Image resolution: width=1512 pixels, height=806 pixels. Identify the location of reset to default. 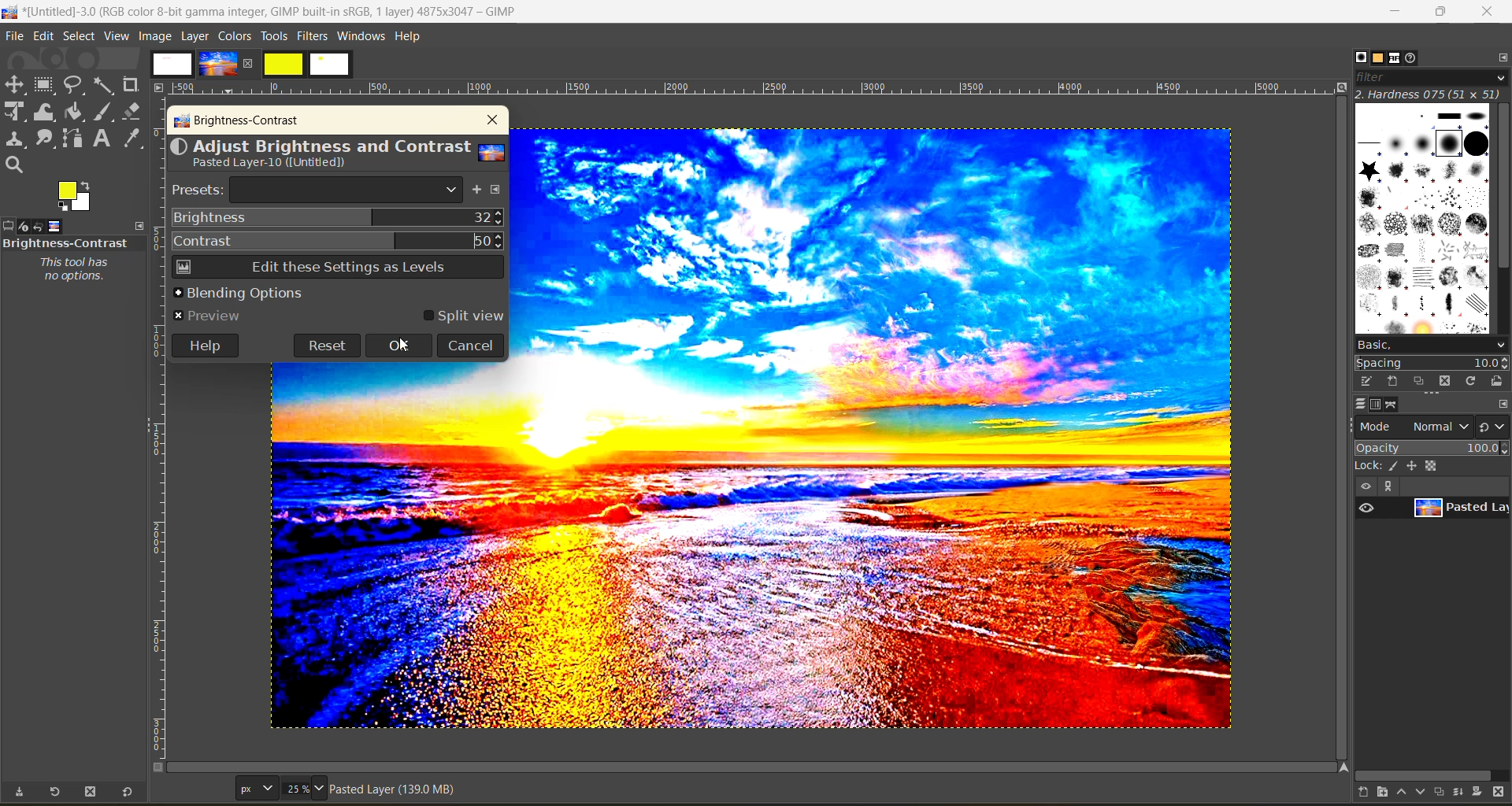
(128, 791).